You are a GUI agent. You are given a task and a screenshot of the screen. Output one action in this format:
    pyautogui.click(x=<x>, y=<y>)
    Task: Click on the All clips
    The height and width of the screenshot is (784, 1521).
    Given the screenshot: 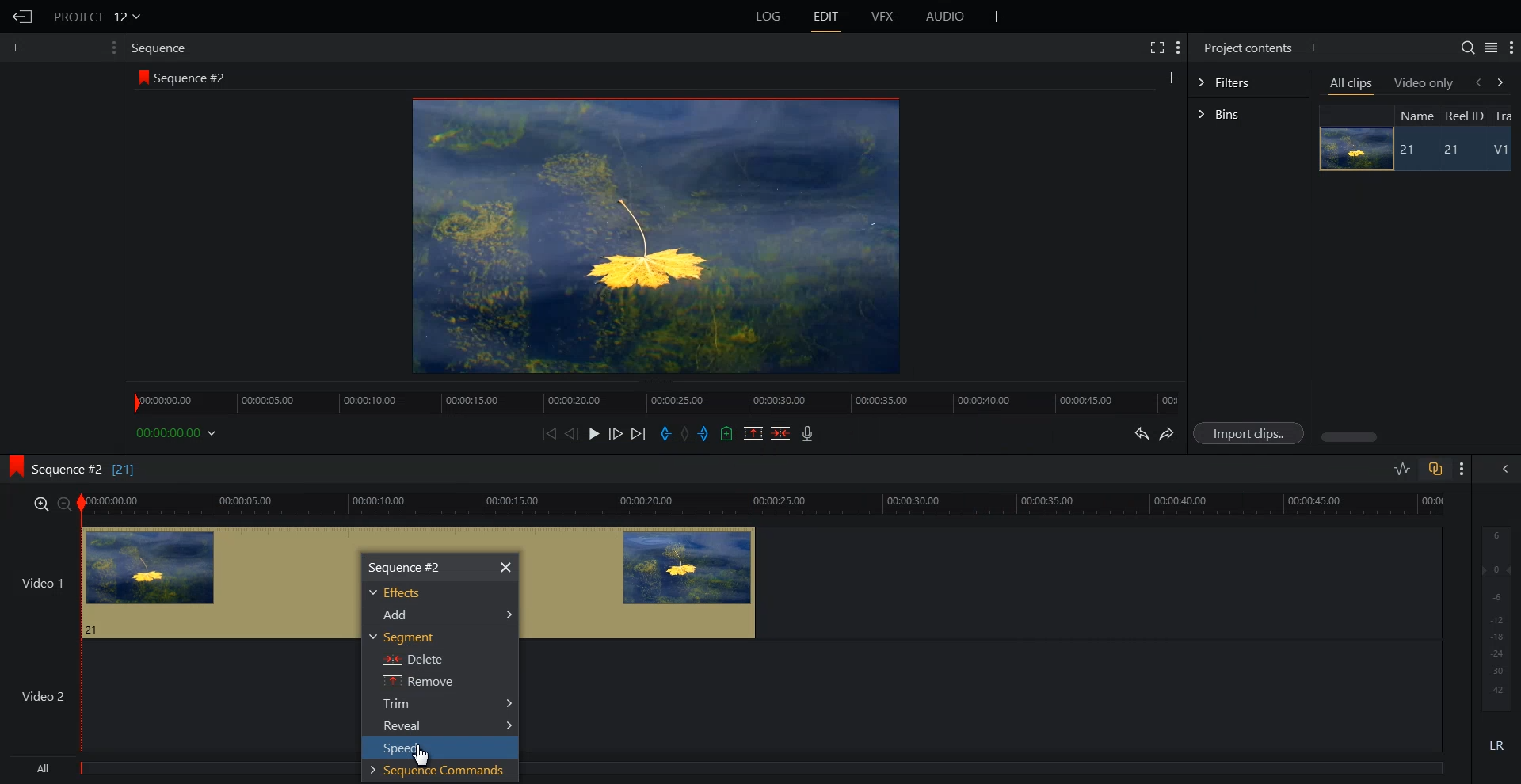 What is the action you would take?
    pyautogui.click(x=1352, y=85)
    